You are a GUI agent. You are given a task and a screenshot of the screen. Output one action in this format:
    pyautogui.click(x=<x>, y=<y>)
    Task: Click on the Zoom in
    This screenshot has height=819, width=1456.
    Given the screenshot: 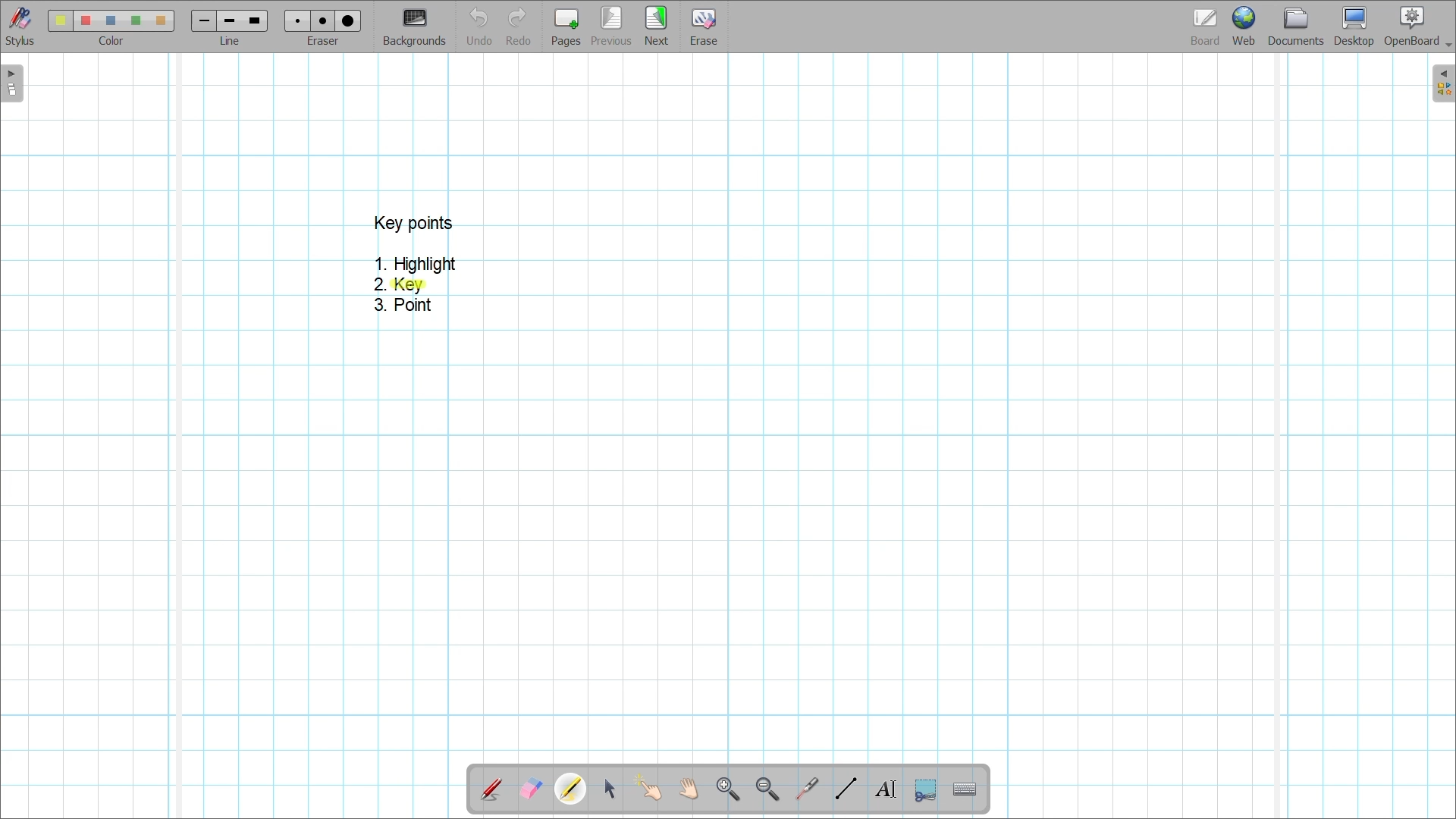 What is the action you would take?
    pyautogui.click(x=729, y=790)
    